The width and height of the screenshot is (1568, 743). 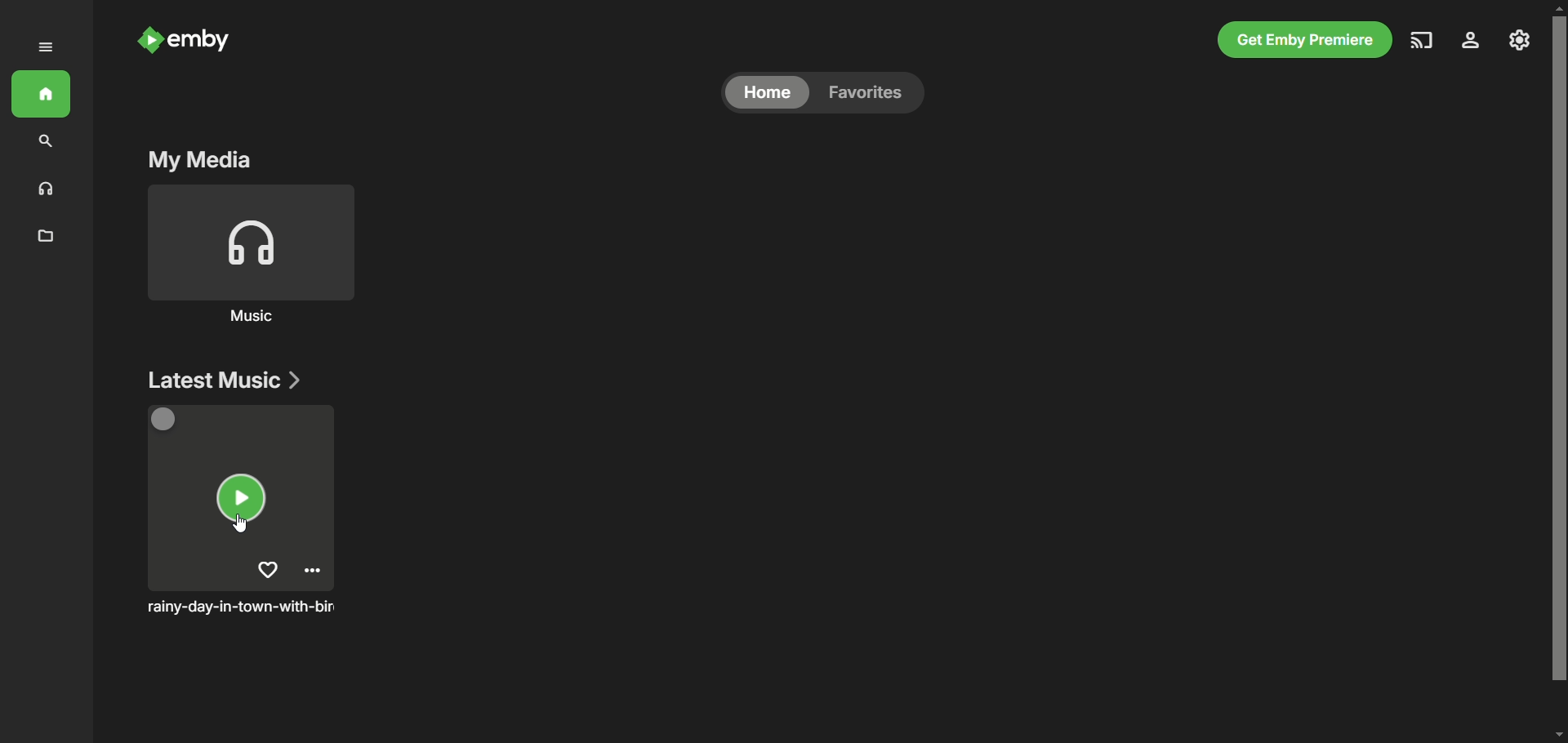 I want to click on folder, so click(x=48, y=236).